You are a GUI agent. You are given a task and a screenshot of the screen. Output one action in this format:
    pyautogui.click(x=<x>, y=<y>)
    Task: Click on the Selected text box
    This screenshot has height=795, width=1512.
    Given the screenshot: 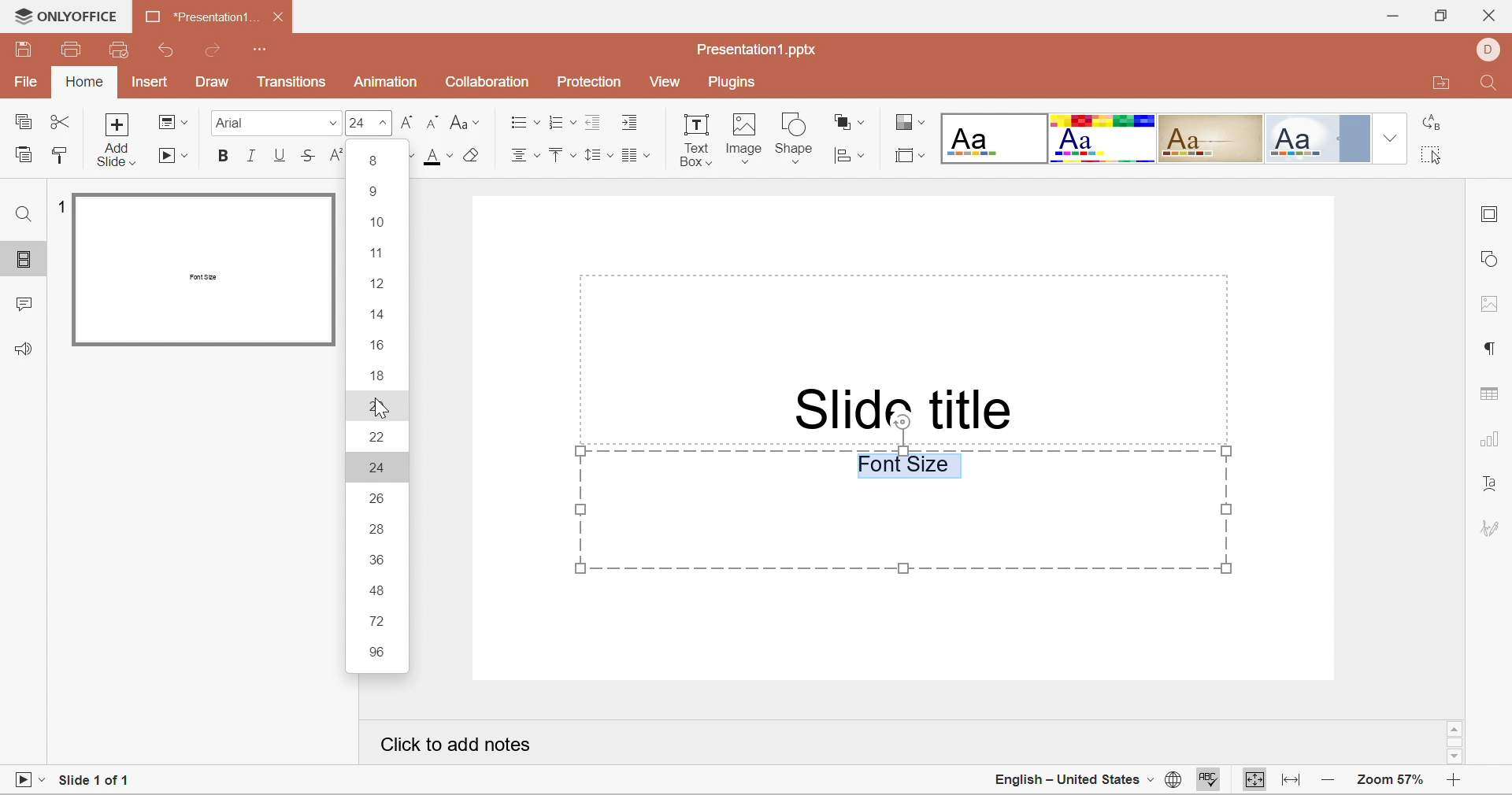 What is the action you would take?
    pyautogui.click(x=903, y=511)
    